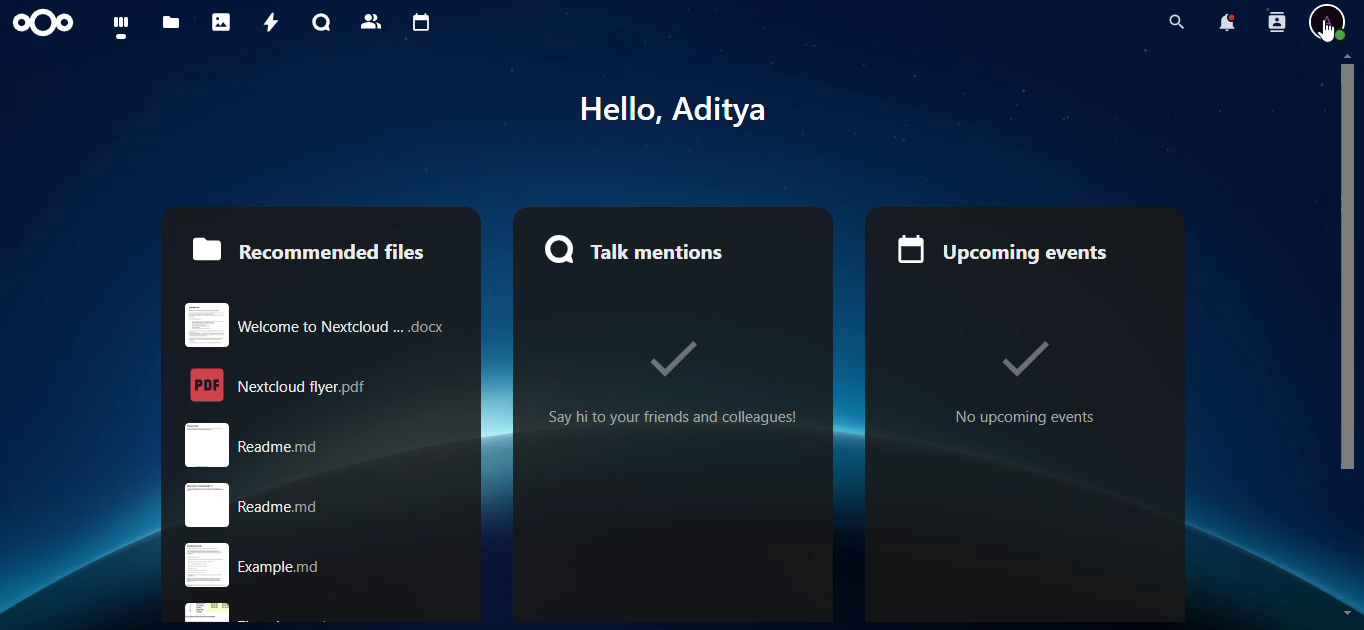 The image size is (1364, 630). I want to click on talk, so click(319, 22).